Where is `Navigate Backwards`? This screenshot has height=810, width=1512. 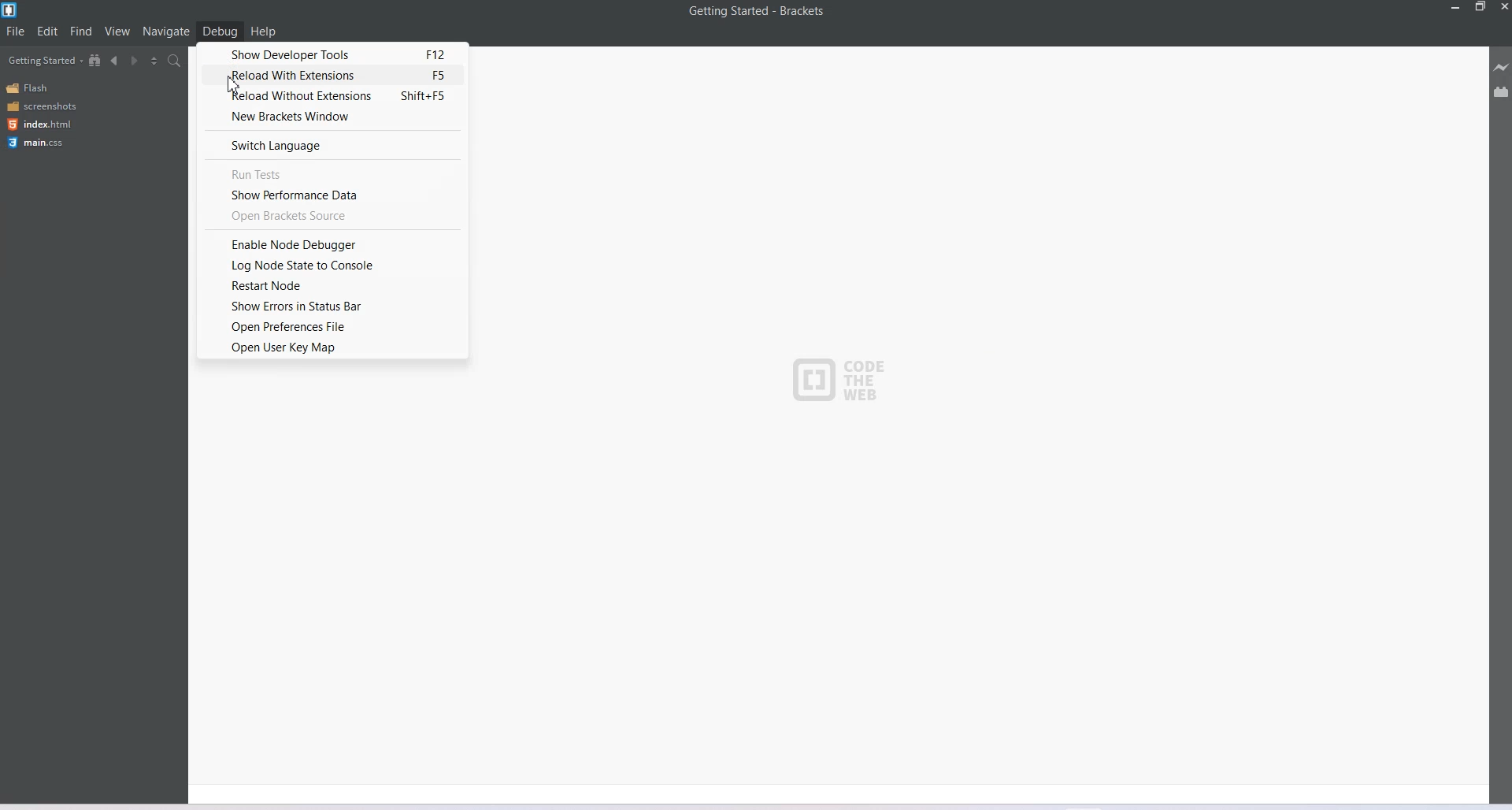
Navigate Backwards is located at coordinates (115, 61).